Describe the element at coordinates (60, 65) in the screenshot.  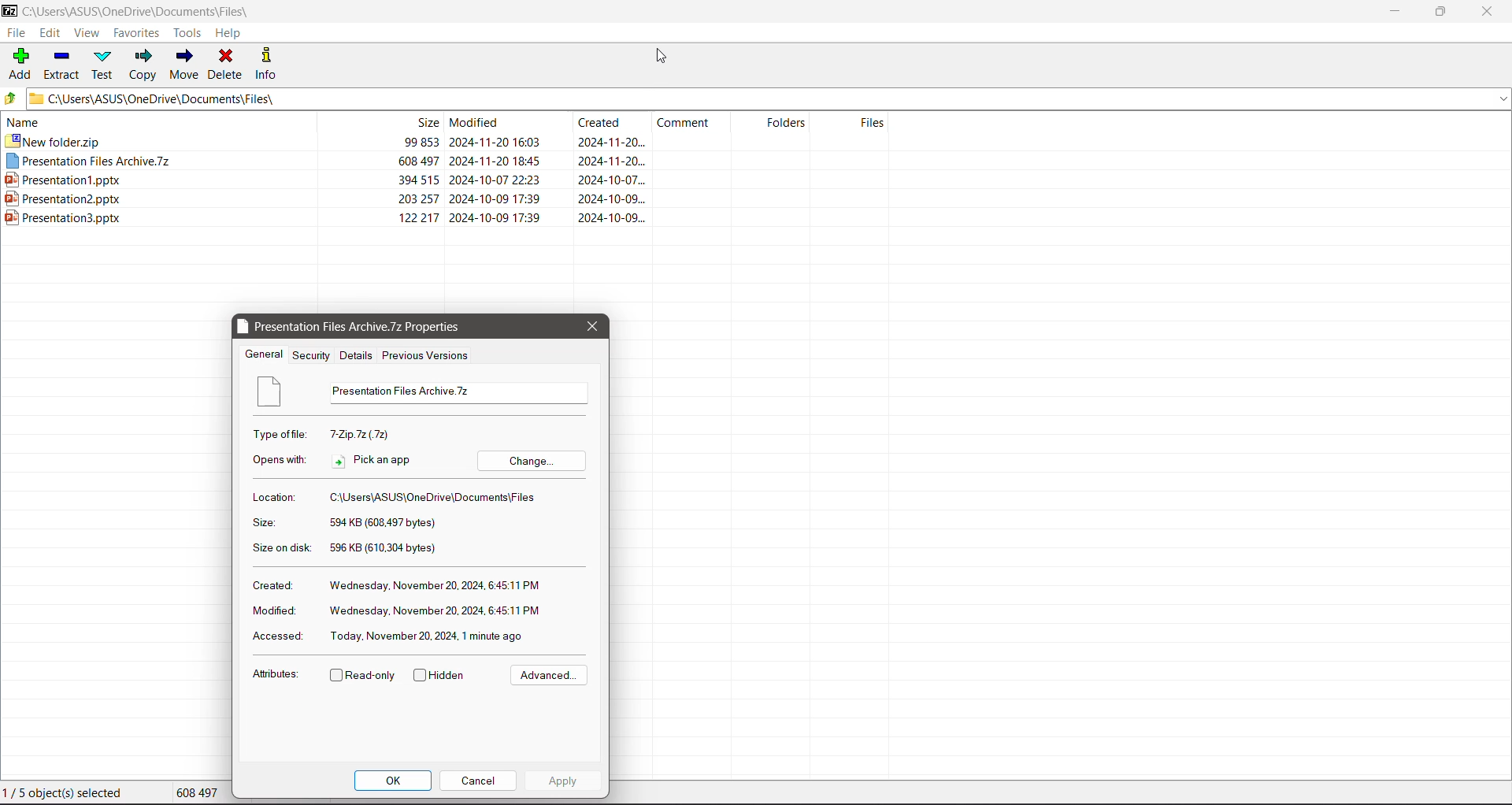
I see `Extract` at that location.